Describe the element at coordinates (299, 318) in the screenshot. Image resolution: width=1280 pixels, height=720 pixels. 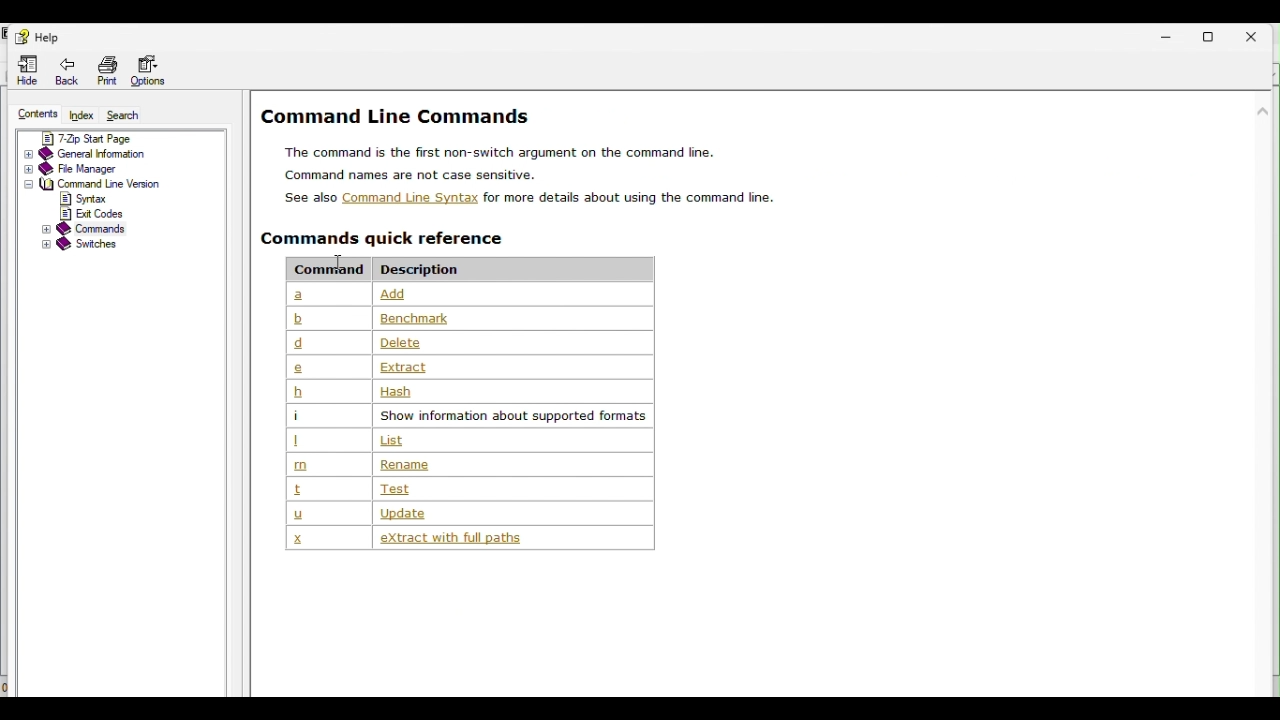
I see `b` at that location.